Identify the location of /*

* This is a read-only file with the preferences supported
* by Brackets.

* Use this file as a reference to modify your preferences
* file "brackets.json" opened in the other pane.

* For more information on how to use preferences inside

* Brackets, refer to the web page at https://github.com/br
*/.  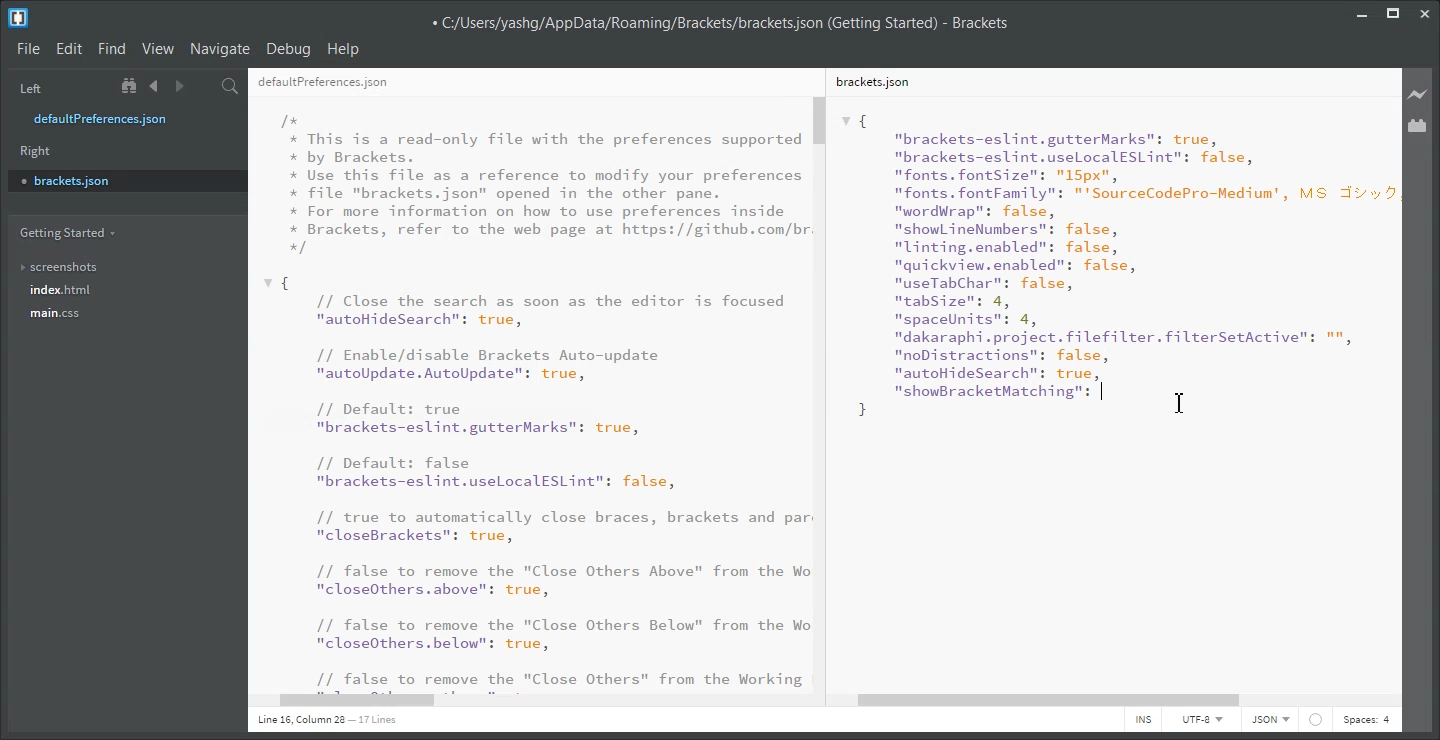
(546, 184).